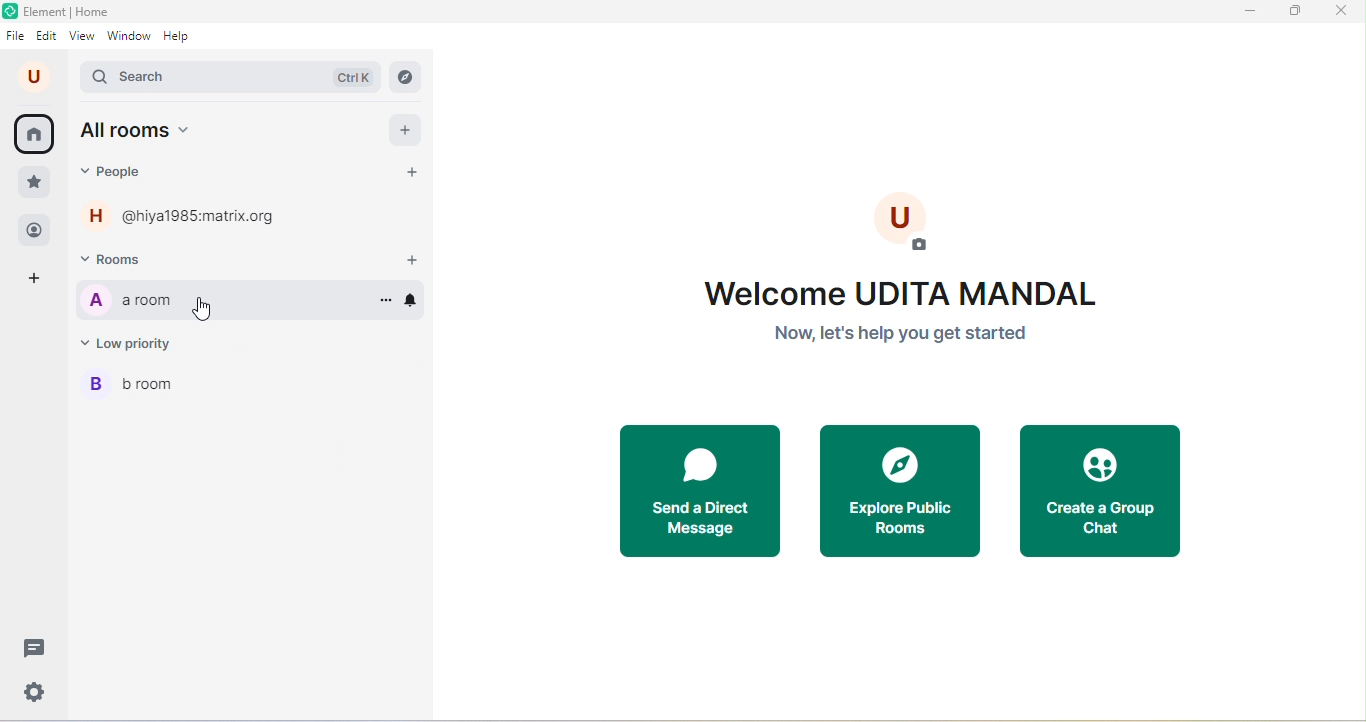 The image size is (1366, 722). I want to click on notifications toggle, so click(413, 299).